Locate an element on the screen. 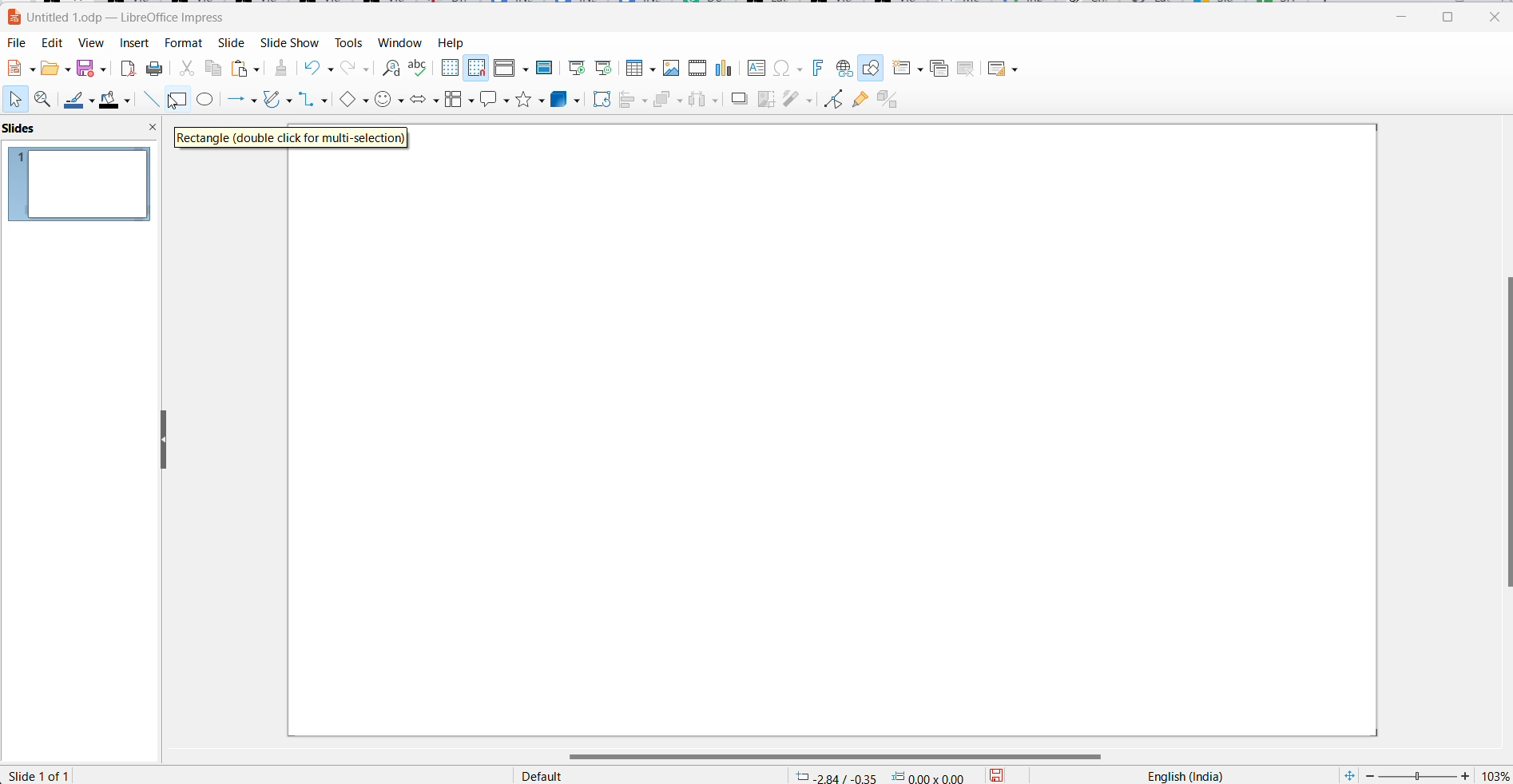  zoom percentage is located at coordinates (1494, 775).